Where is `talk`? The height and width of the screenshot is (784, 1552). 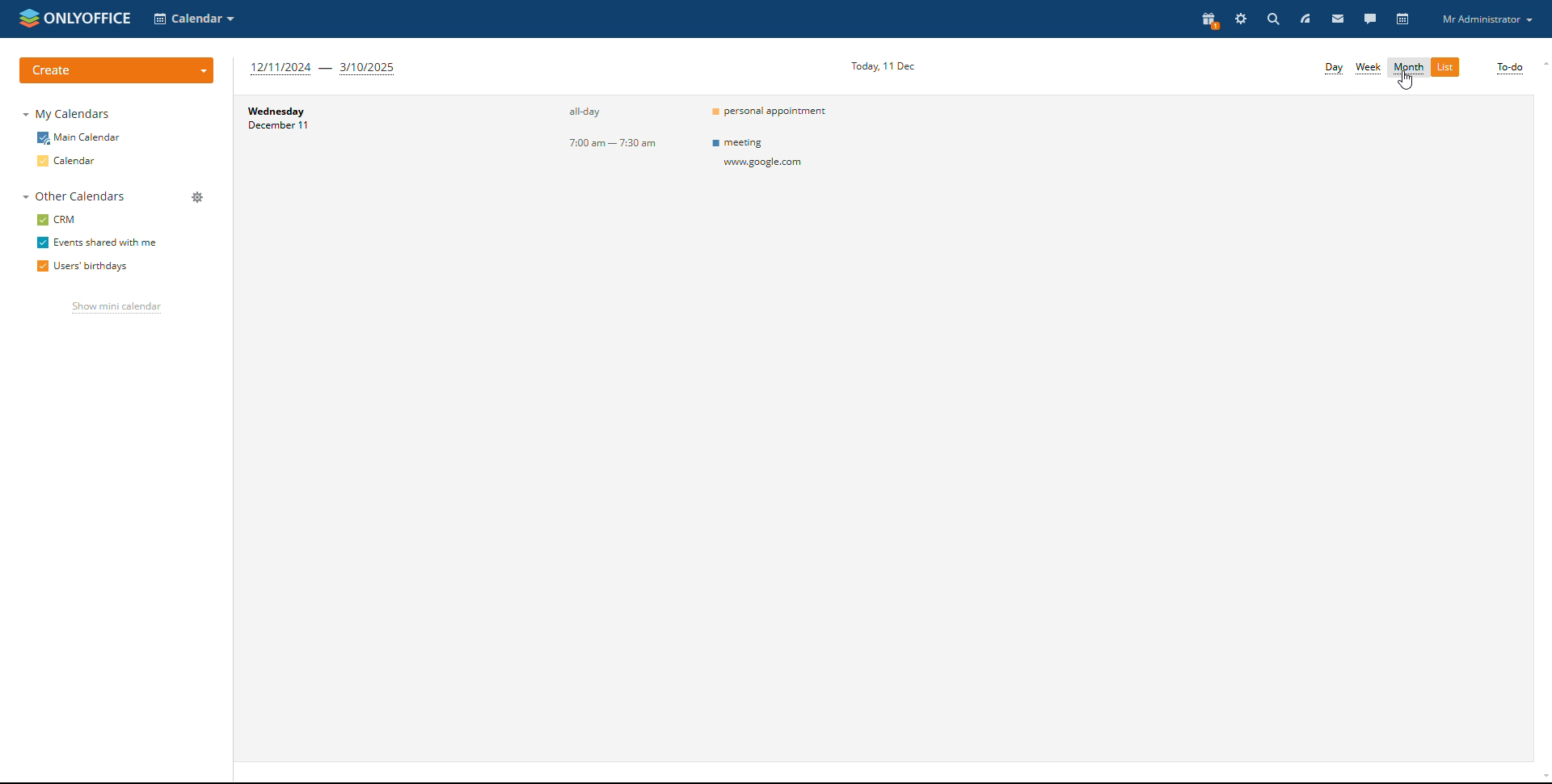 talk is located at coordinates (1371, 18).